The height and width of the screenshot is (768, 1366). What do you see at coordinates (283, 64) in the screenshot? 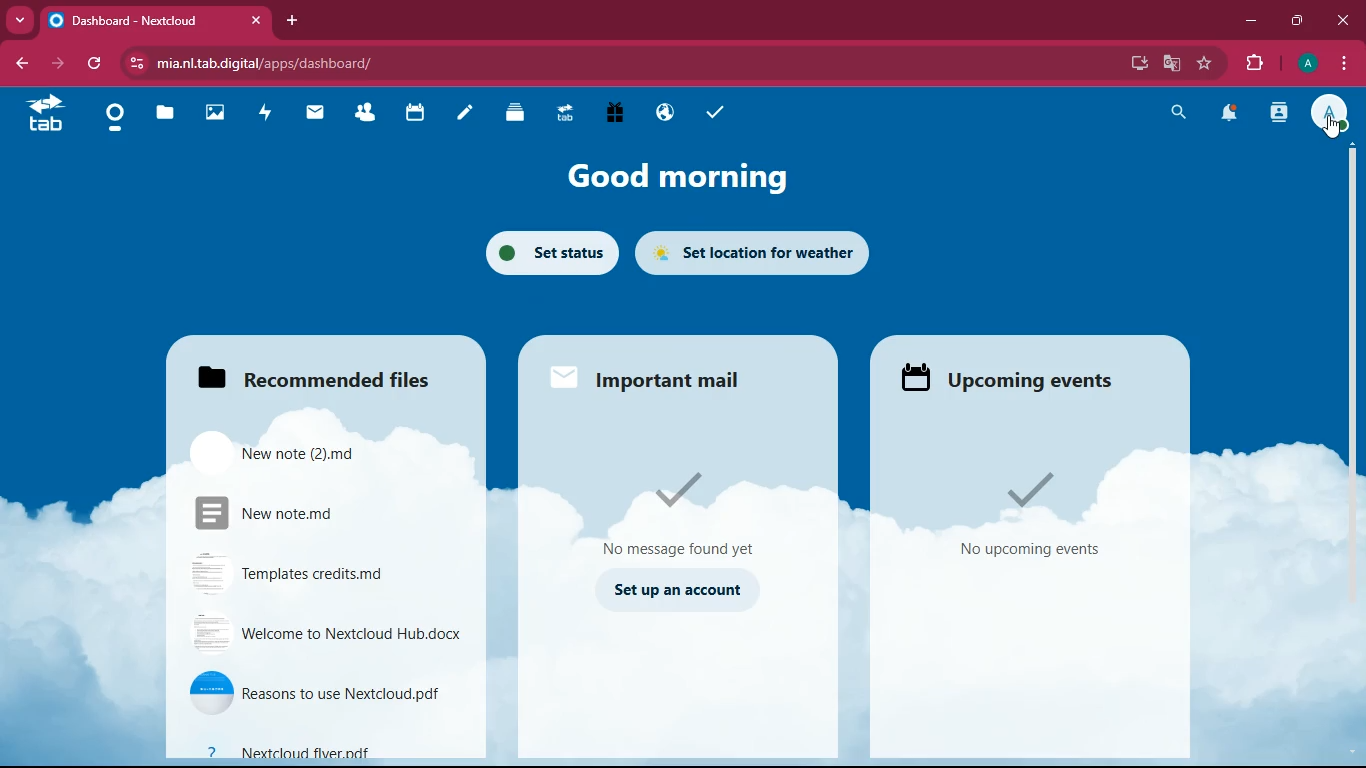
I see `url` at bounding box center [283, 64].